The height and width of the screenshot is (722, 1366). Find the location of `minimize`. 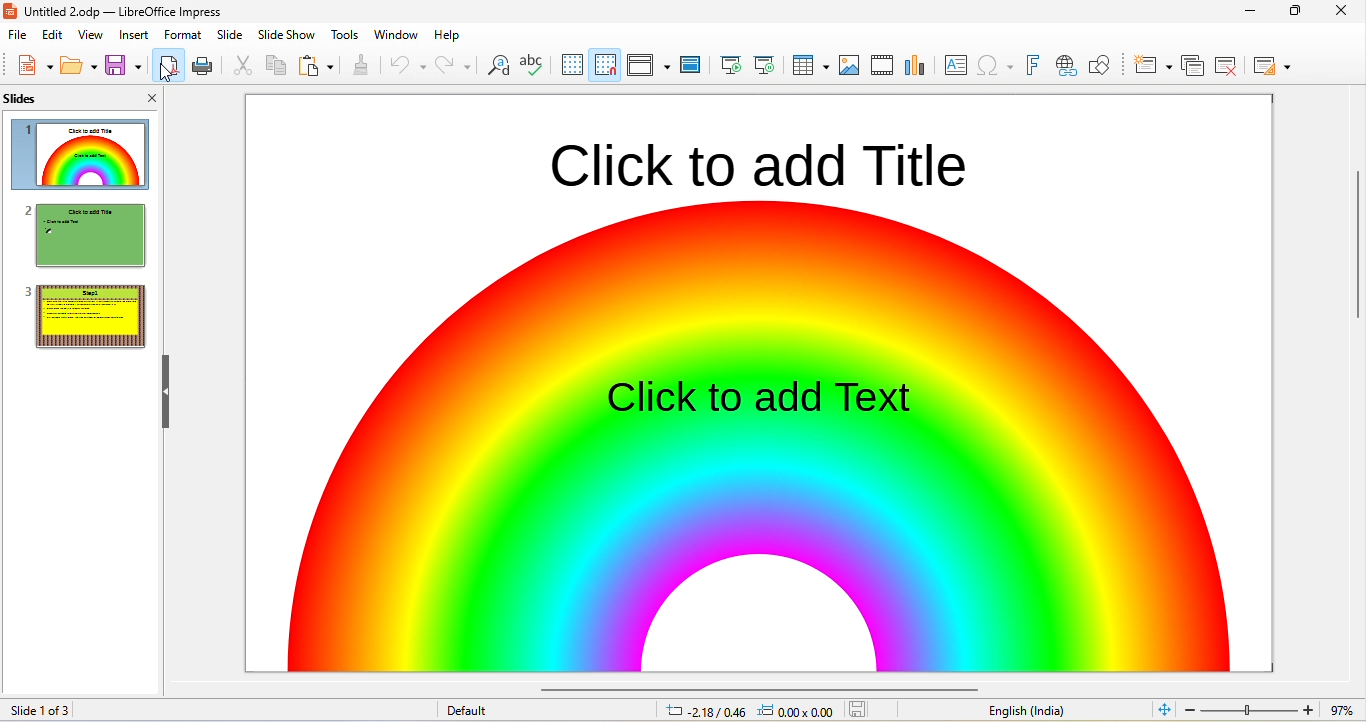

minimize is located at coordinates (1296, 13).